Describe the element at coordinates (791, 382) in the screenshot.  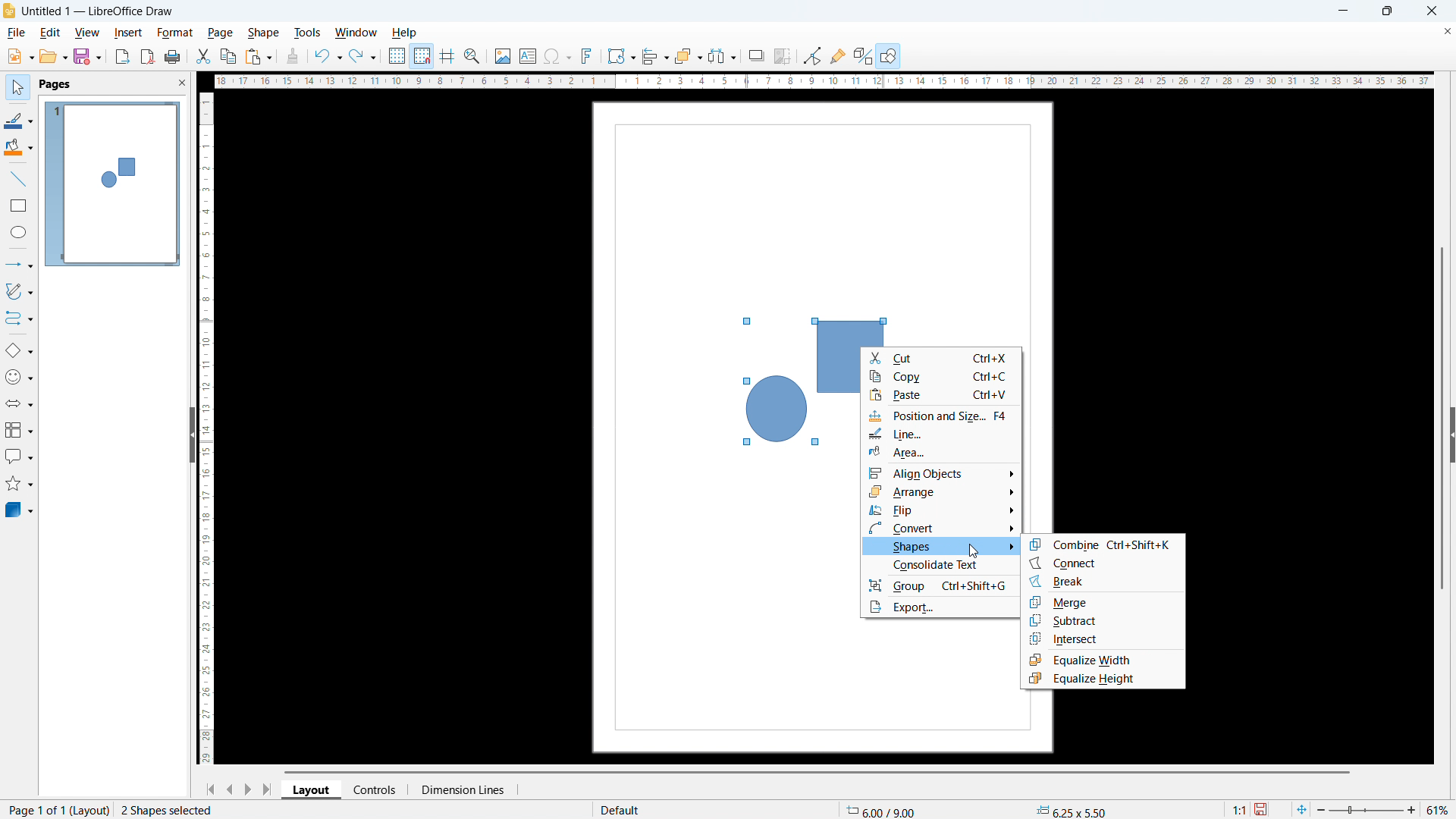
I see `shapes selected` at that location.